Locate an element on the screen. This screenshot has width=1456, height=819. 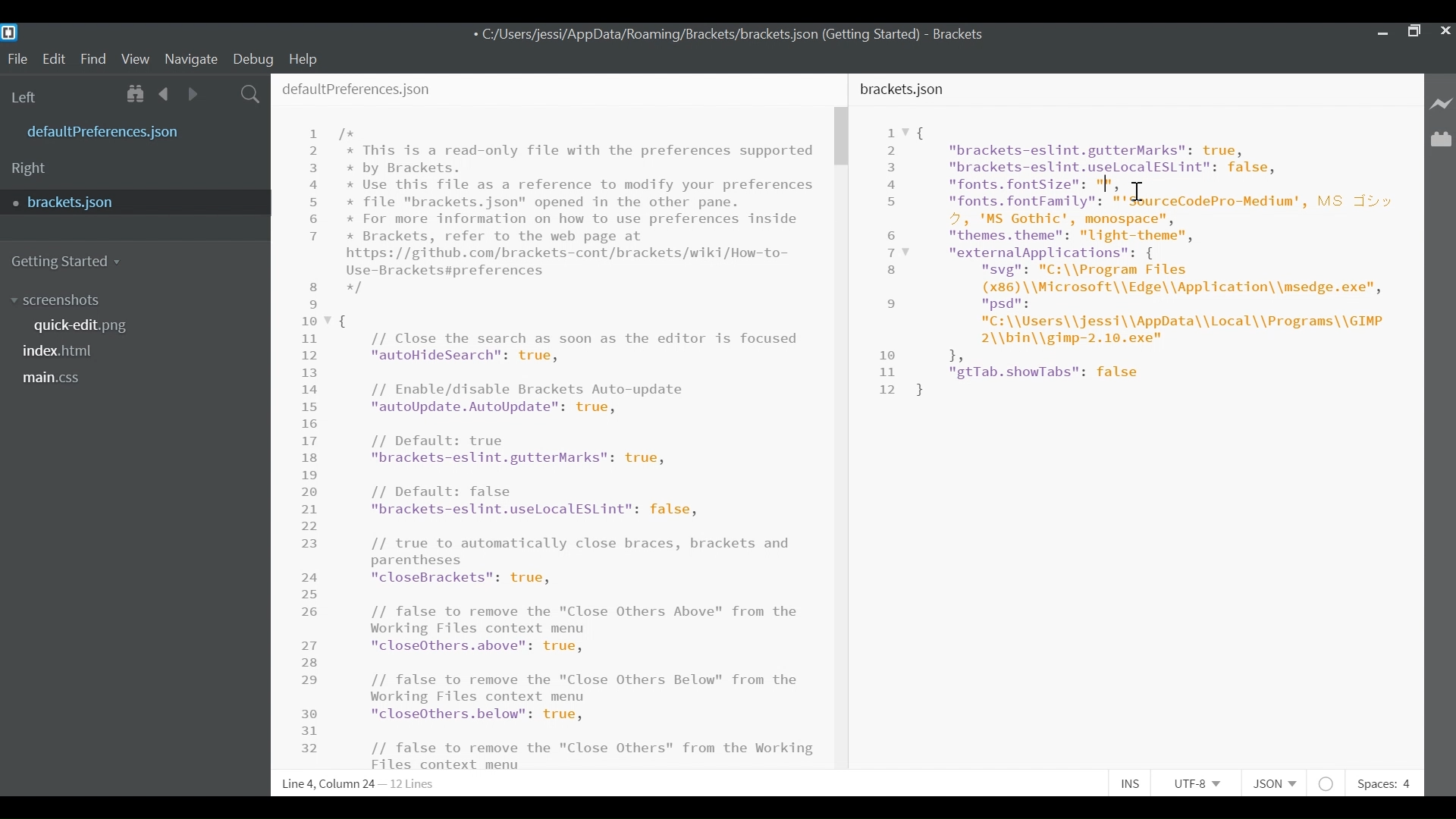
Restore is located at coordinates (1414, 32).